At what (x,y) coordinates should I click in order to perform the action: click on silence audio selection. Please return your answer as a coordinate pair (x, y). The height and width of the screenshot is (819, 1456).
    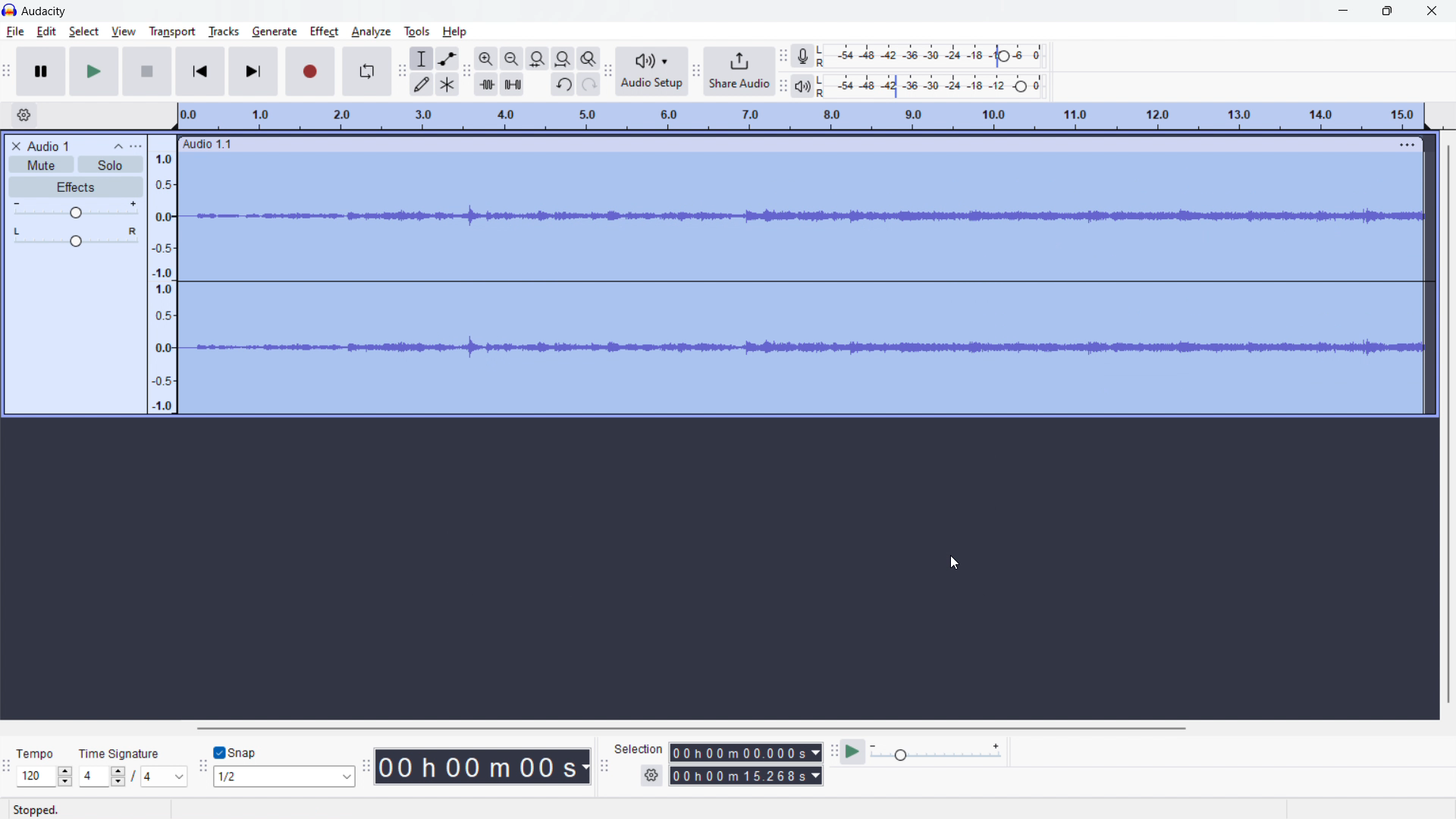
    Looking at the image, I should click on (512, 84).